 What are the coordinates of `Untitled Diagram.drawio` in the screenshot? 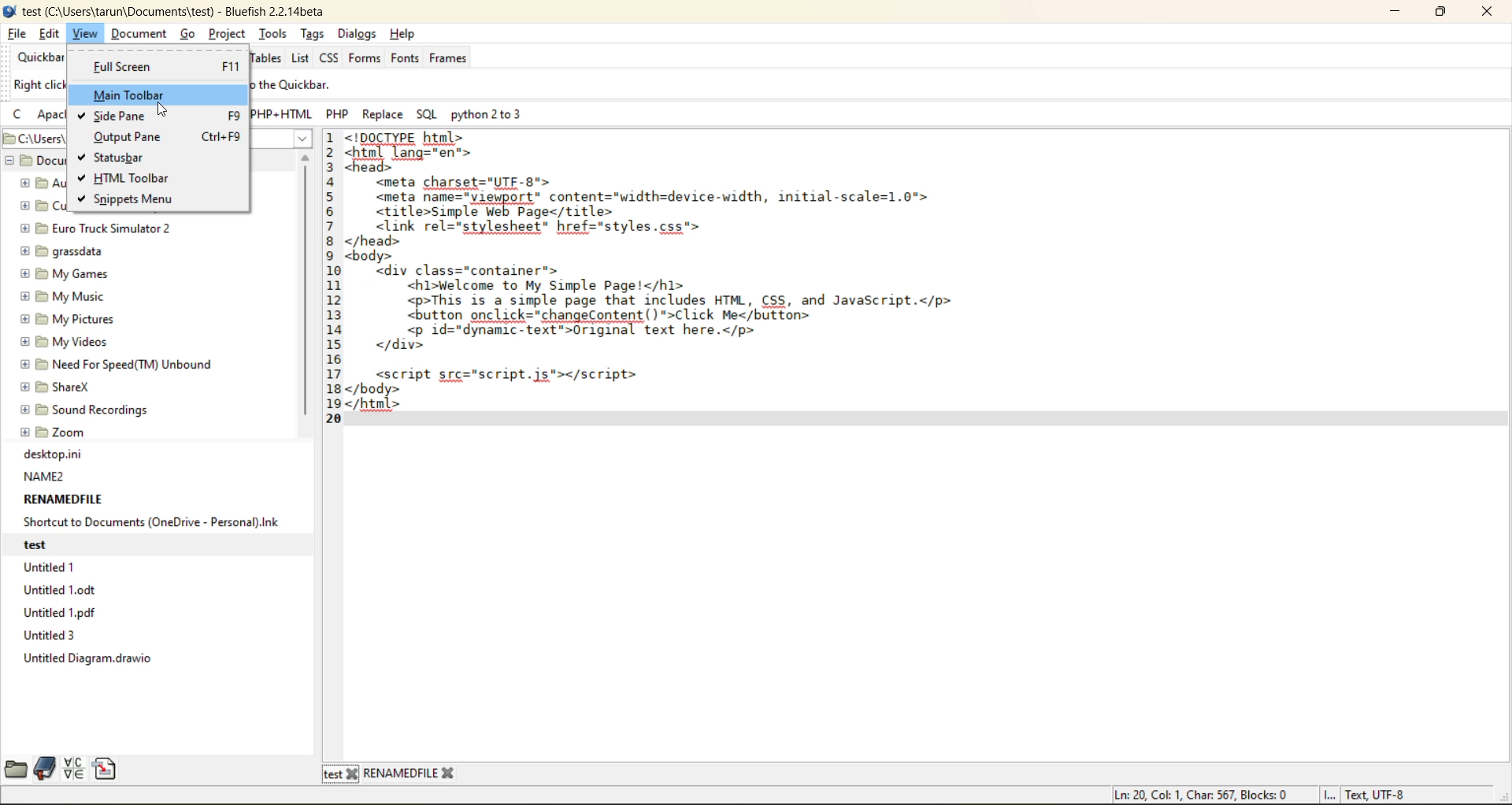 It's located at (92, 660).